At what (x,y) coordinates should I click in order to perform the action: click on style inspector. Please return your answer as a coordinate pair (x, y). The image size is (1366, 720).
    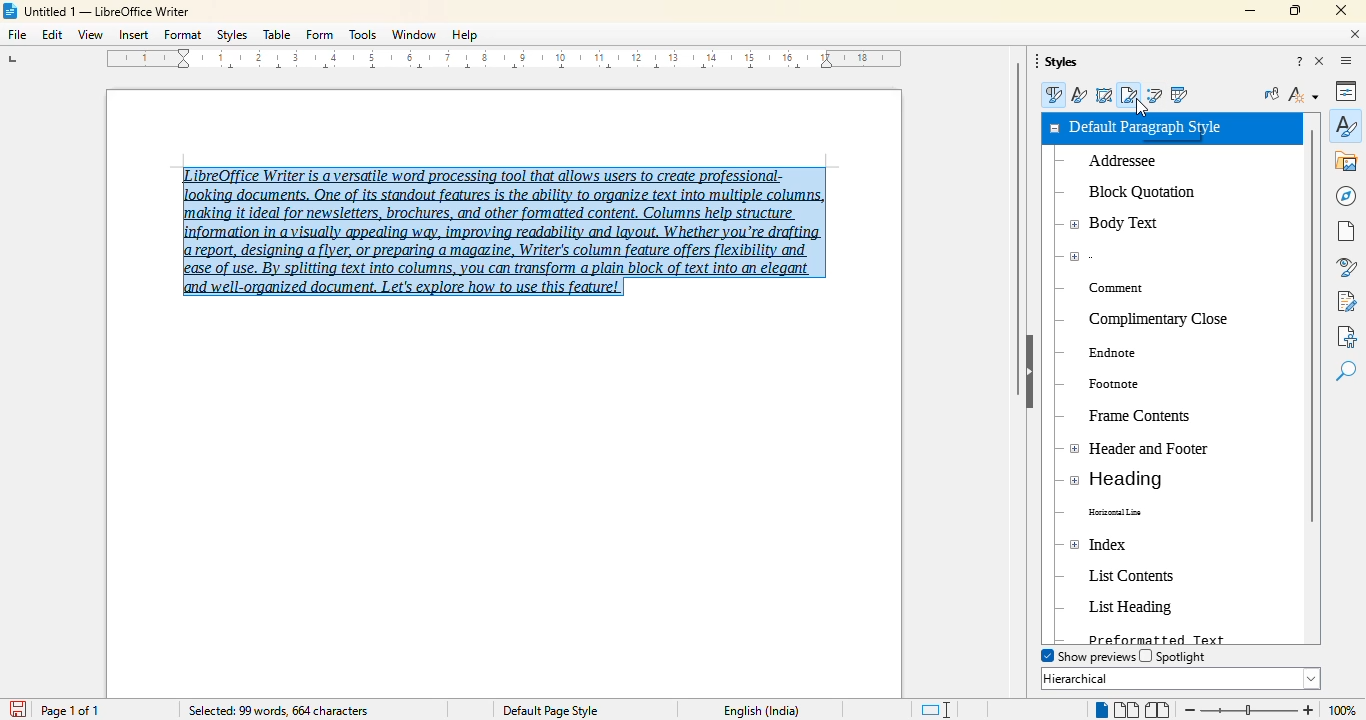
    Looking at the image, I should click on (1346, 268).